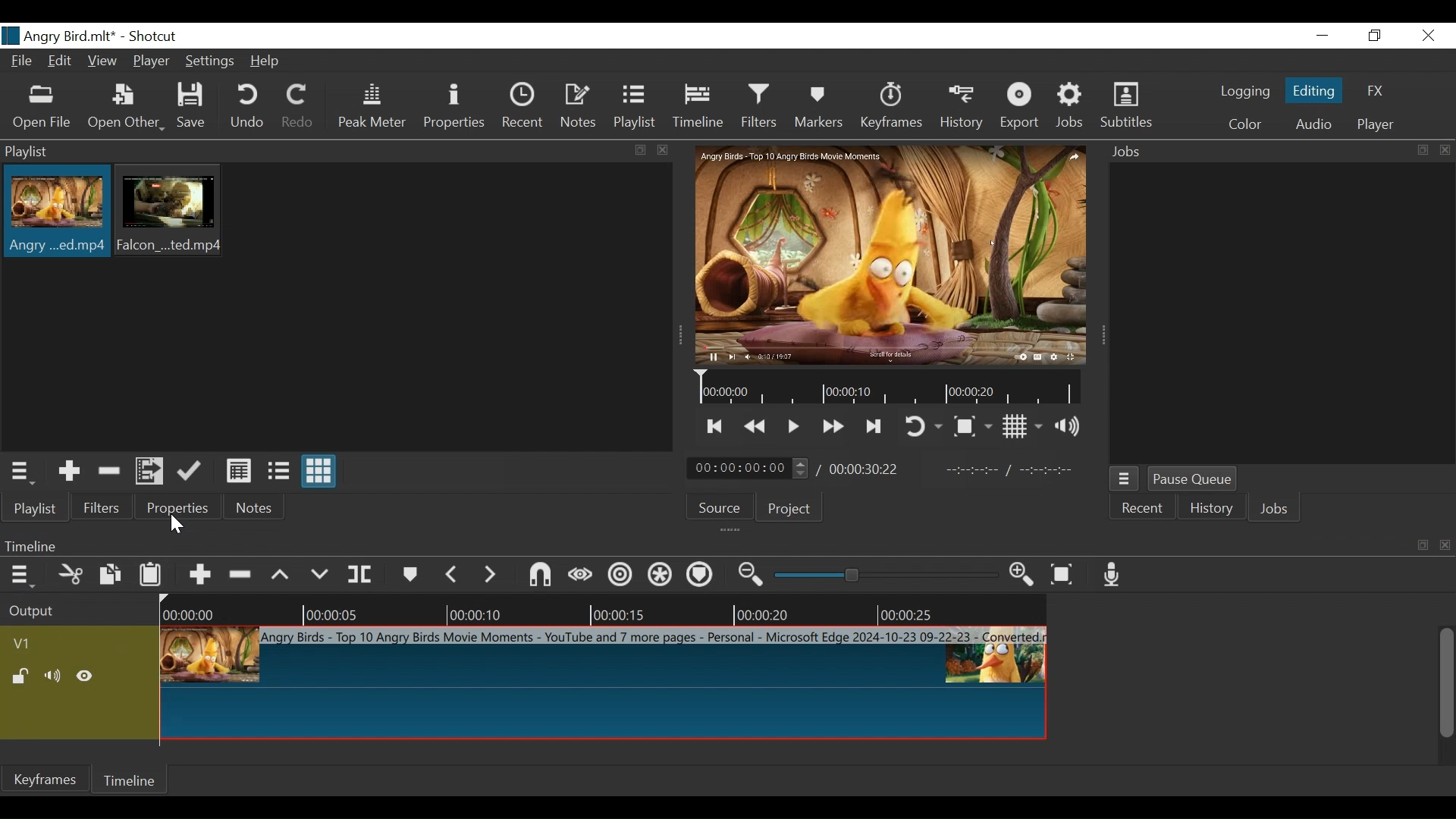 The width and height of the screenshot is (1456, 819). I want to click on Next Marker, so click(491, 575).